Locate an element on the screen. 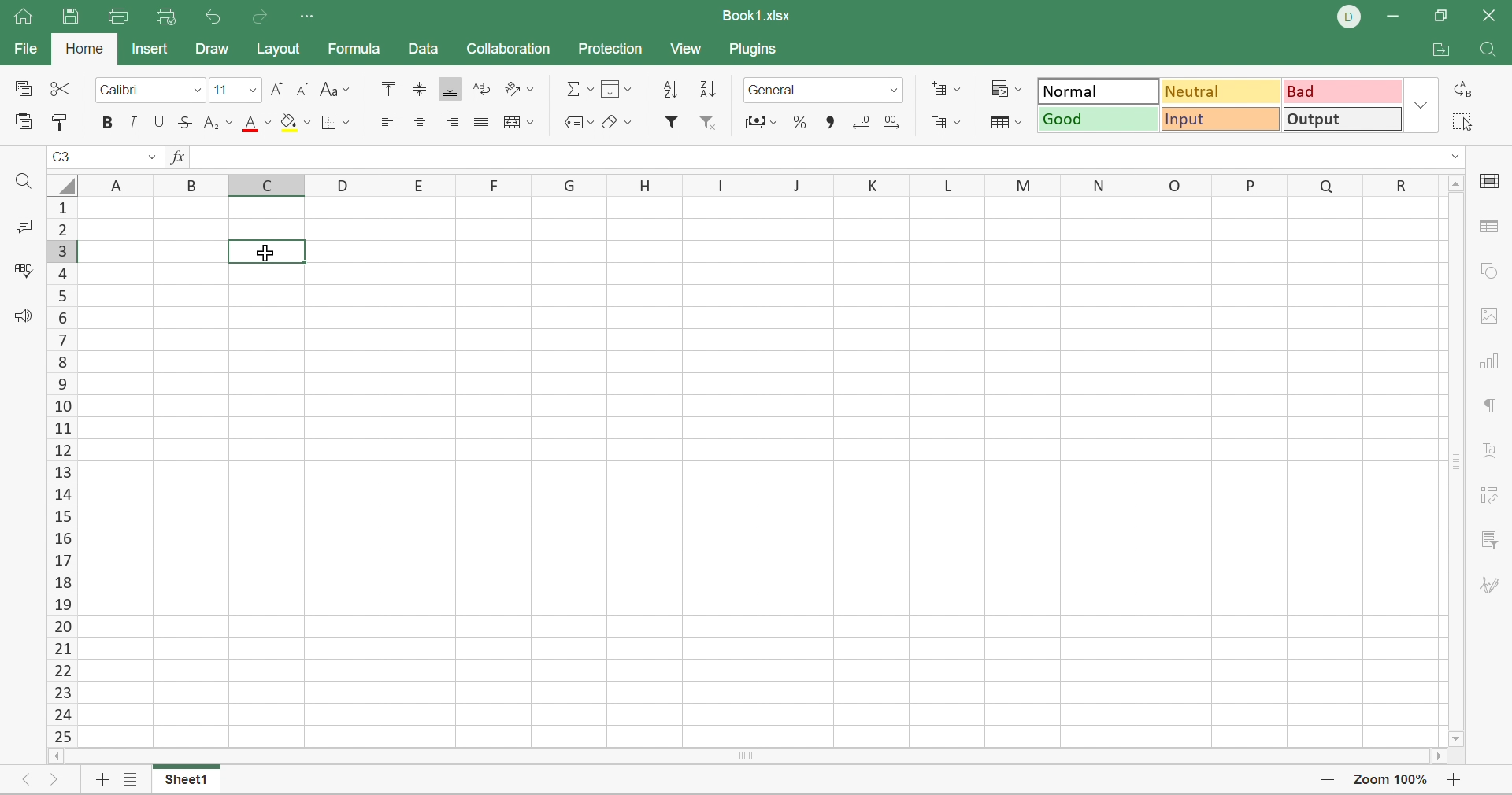 Image resolution: width=1512 pixels, height=795 pixels. Scroll Bar is located at coordinates (744, 756).